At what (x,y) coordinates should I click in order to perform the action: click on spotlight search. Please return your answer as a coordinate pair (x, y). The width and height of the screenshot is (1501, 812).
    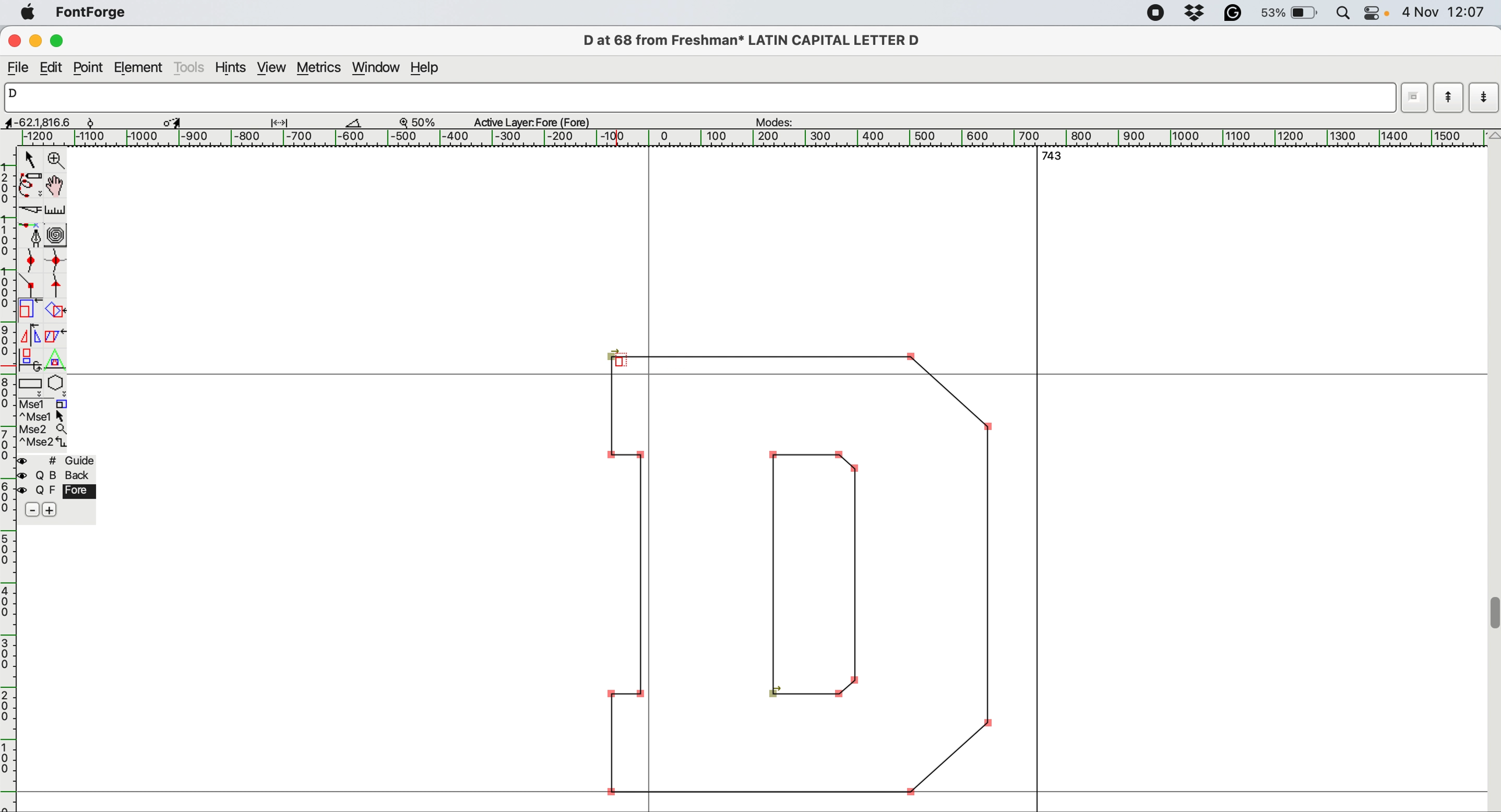
    Looking at the image, I should click on (1343, 13).